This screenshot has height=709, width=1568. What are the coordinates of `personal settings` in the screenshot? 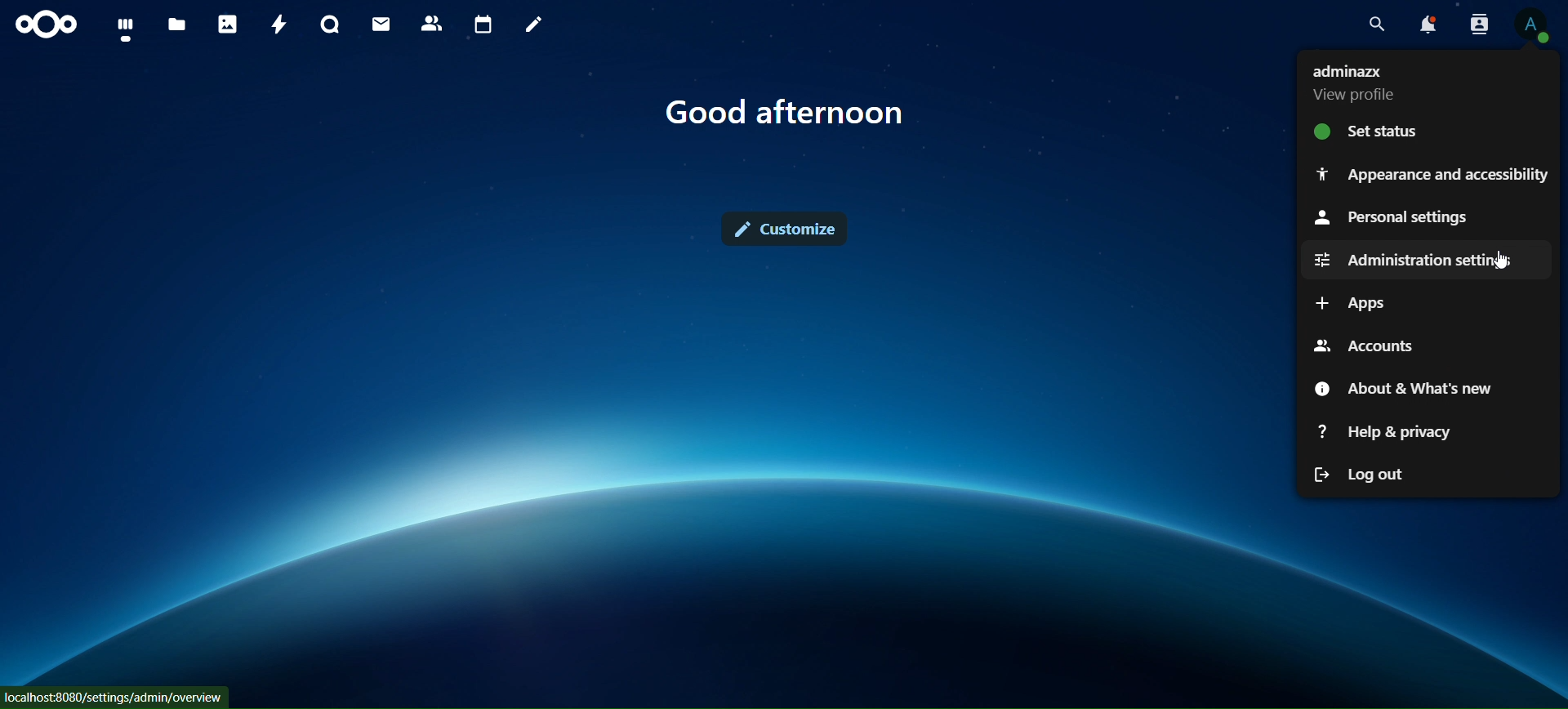 It's located at (1390, 220).